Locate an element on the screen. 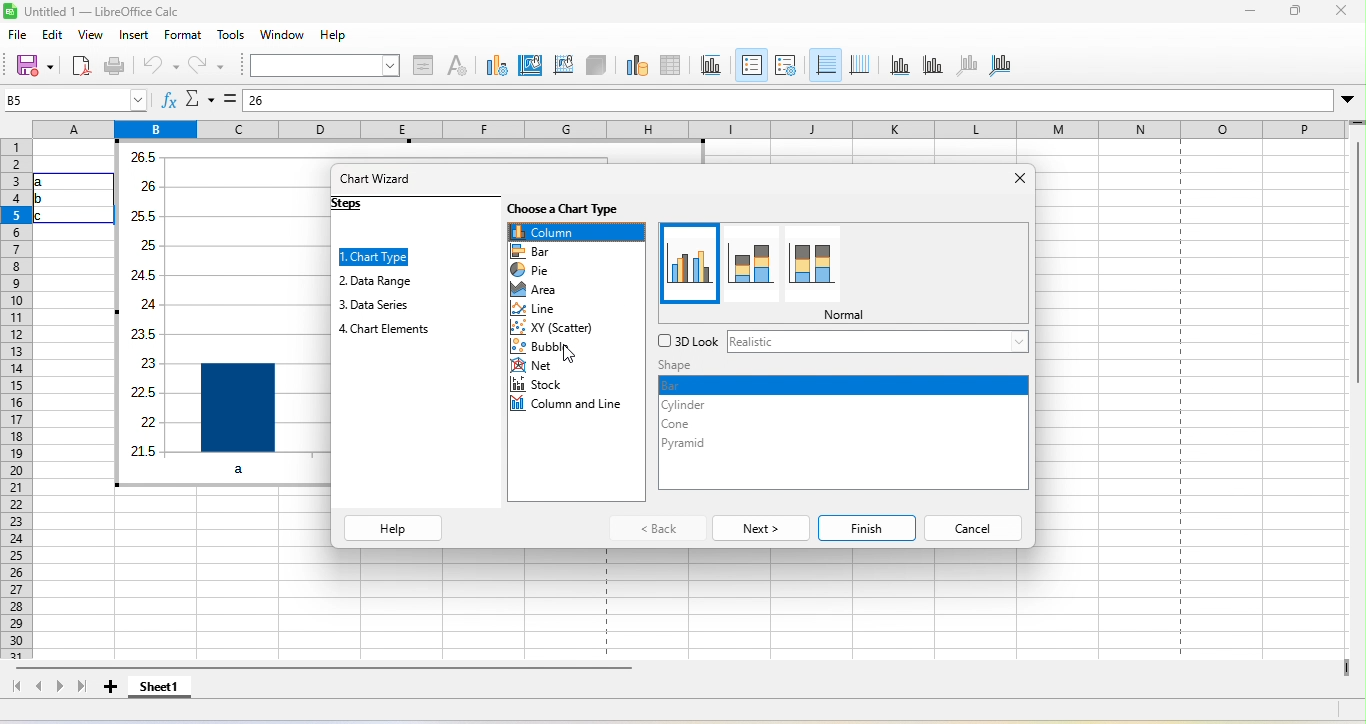  line is located at coordinates (539, 308).